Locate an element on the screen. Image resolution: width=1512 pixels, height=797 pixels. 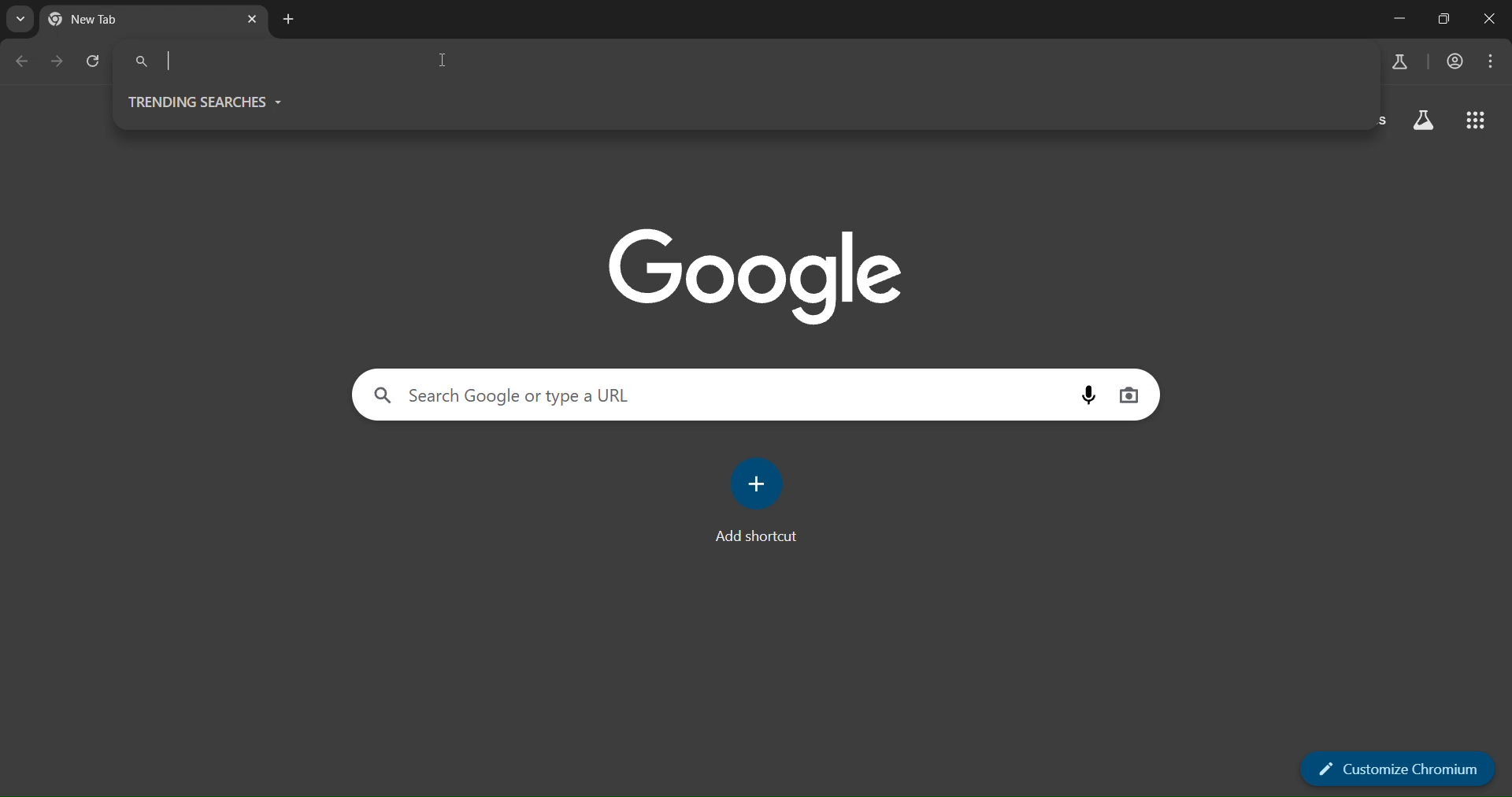
search tabs is located at coordinates (20, 18).